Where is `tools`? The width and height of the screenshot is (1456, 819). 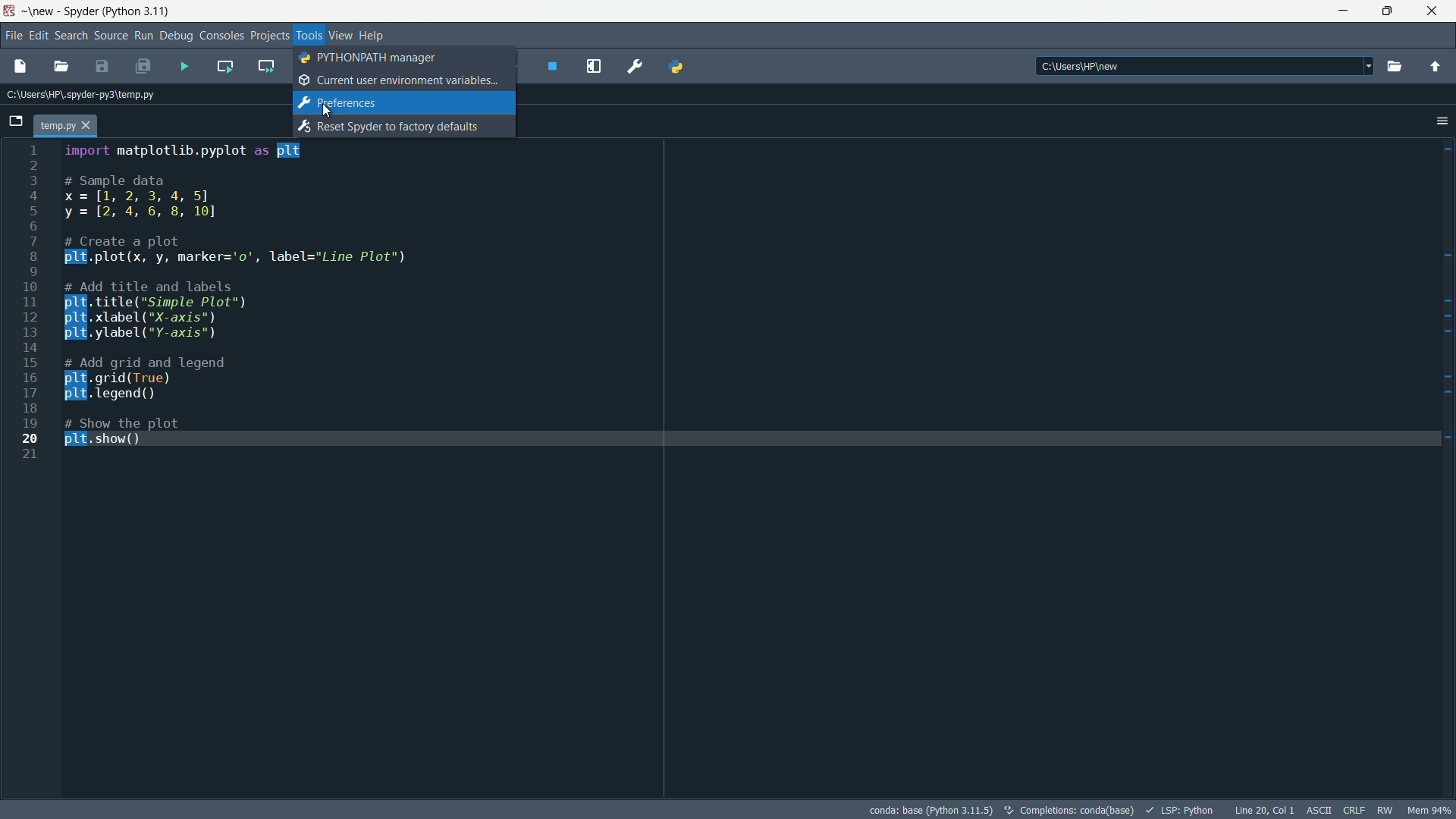 tools is located at coordinates (309, 35).